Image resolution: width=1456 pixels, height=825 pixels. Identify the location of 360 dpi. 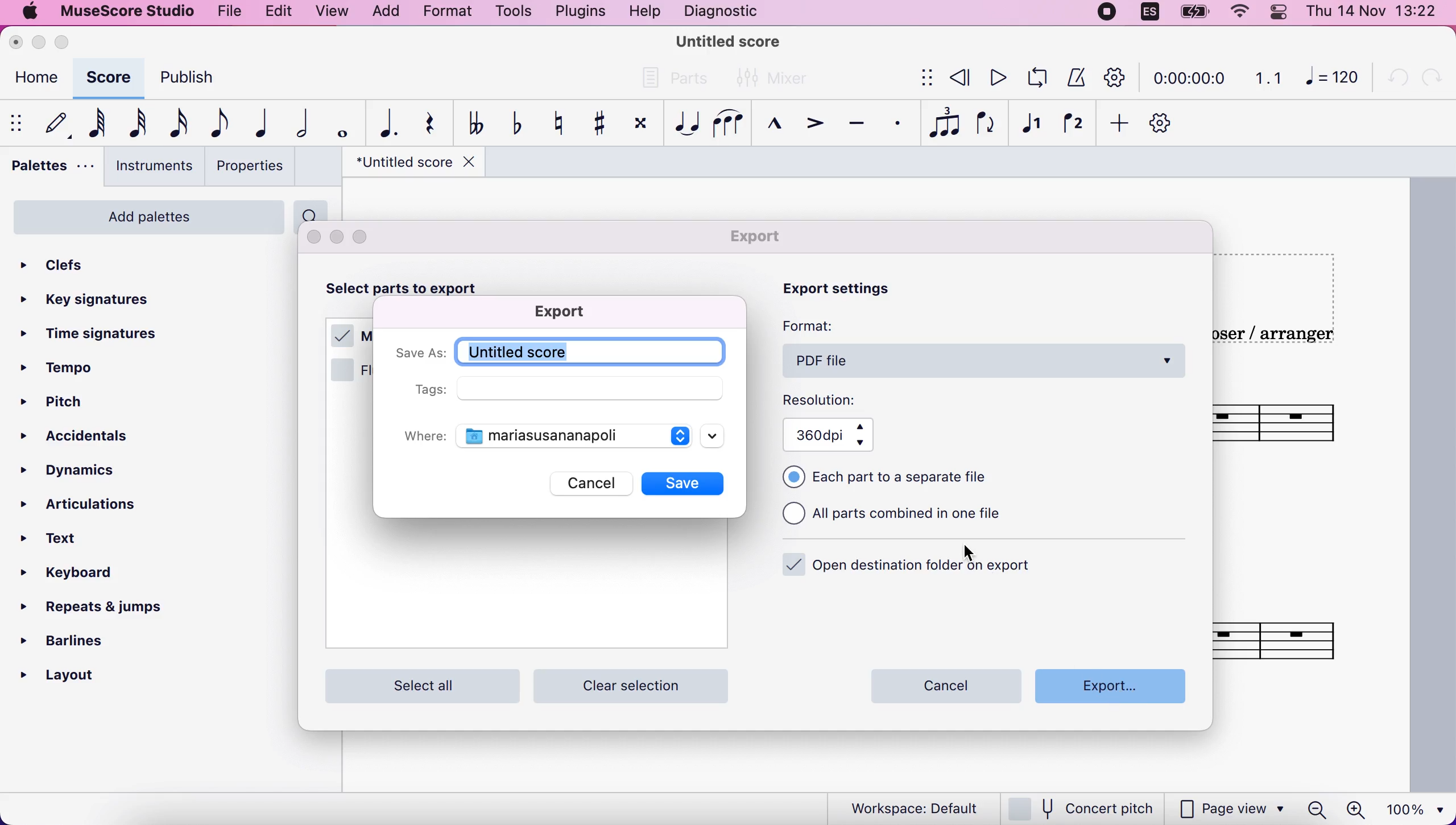
(839, 435).